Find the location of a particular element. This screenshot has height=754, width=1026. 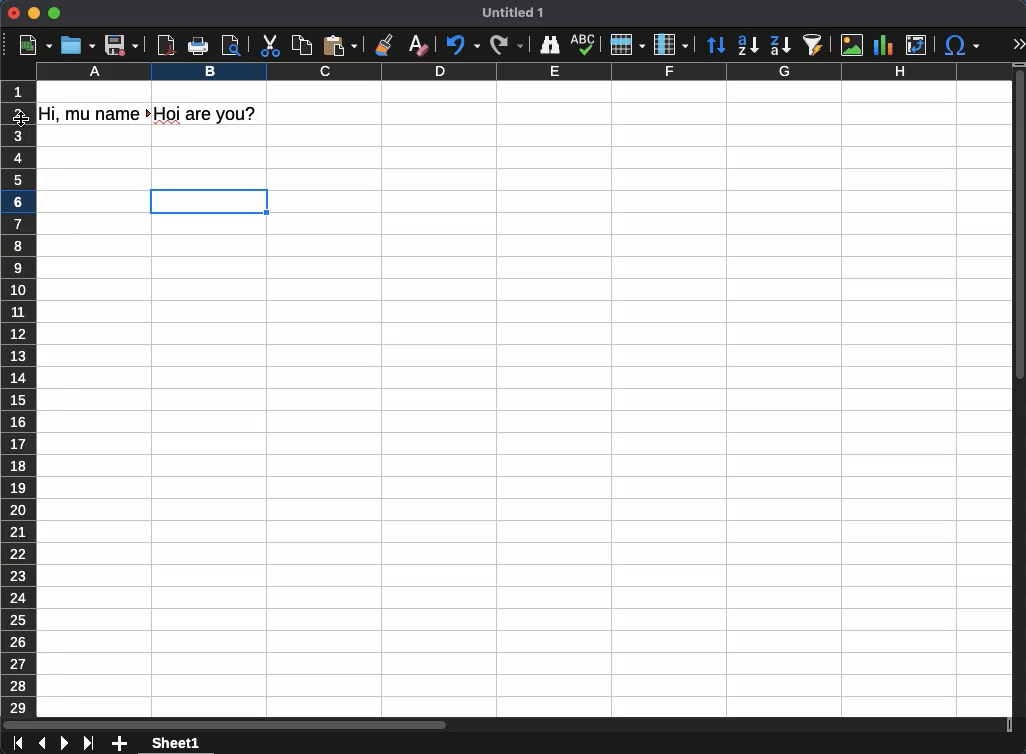

save is located at coordinates (122, 45).